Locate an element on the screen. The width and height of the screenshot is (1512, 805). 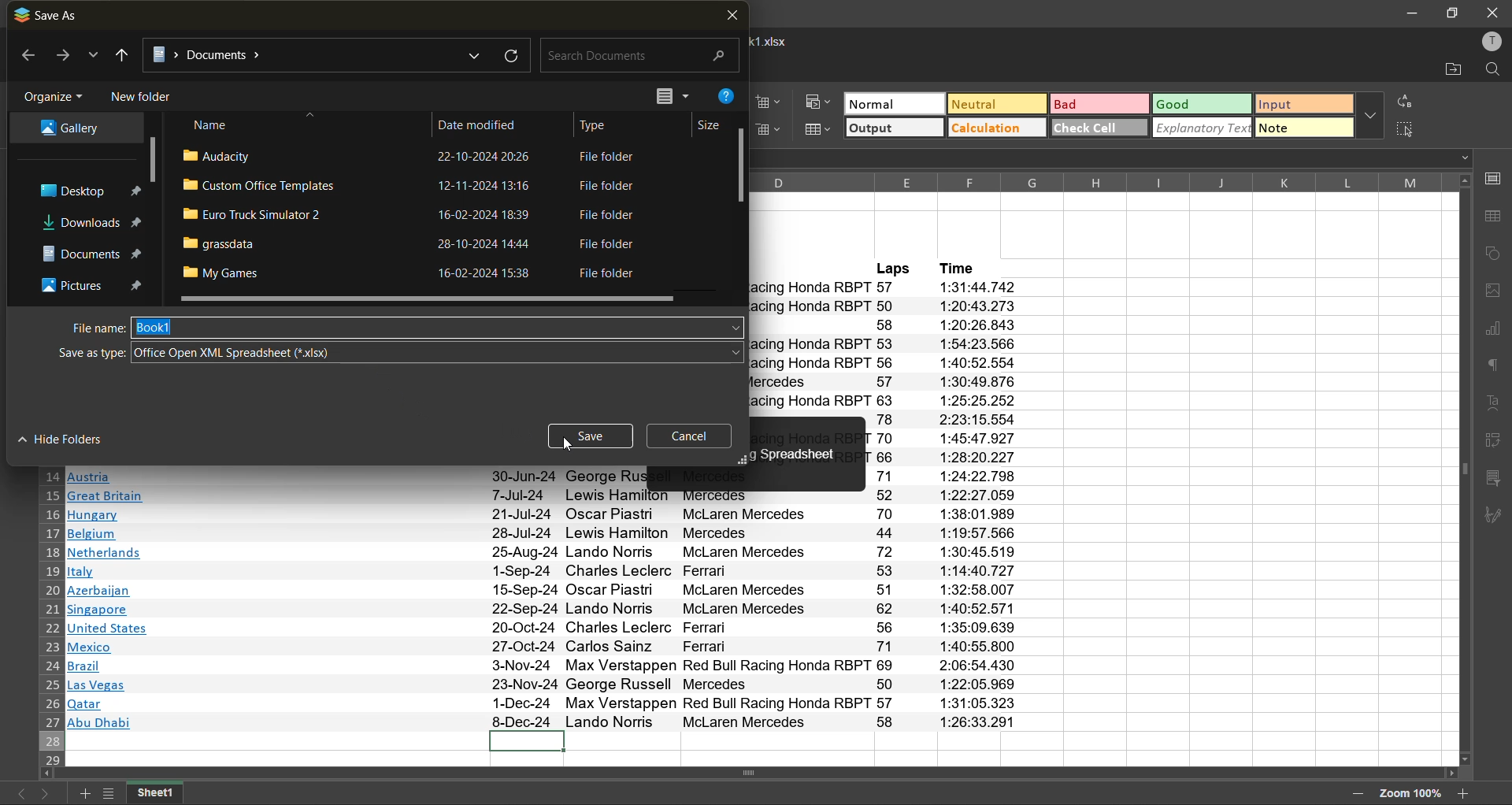
move left is located at coordinates (47, 775).